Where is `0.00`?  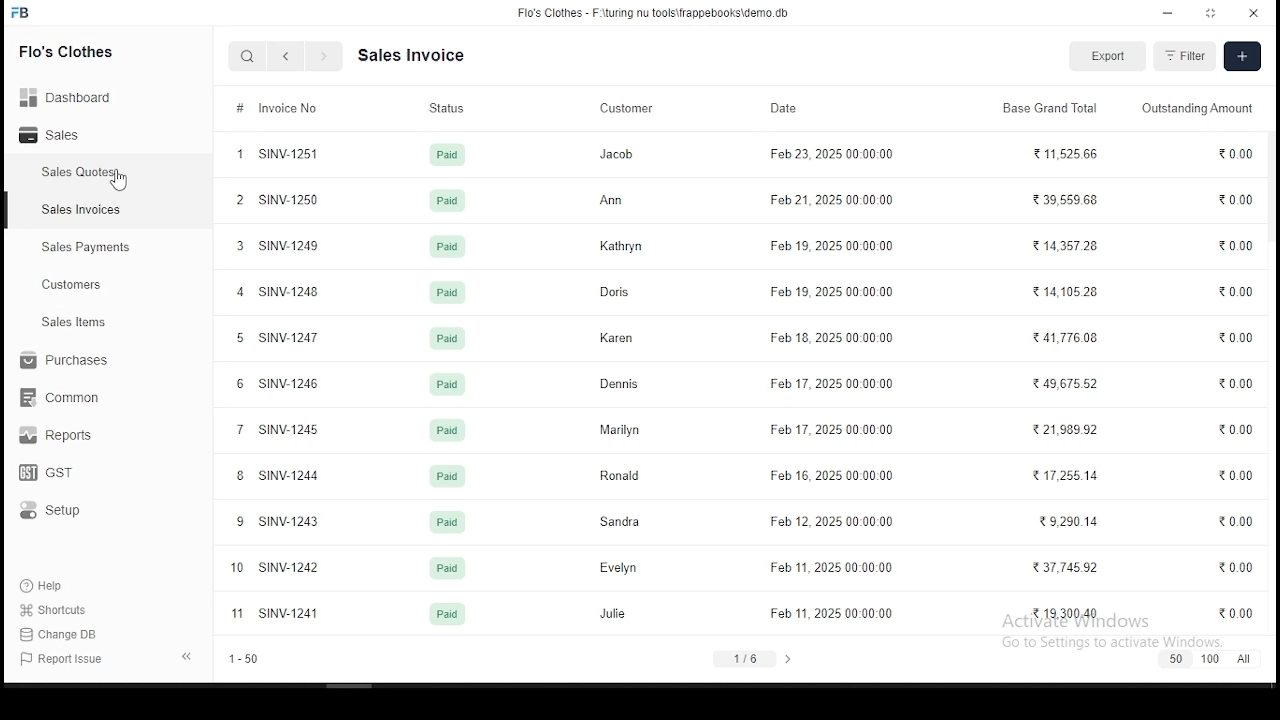
0.00 is located at coordinates (1233, 152).